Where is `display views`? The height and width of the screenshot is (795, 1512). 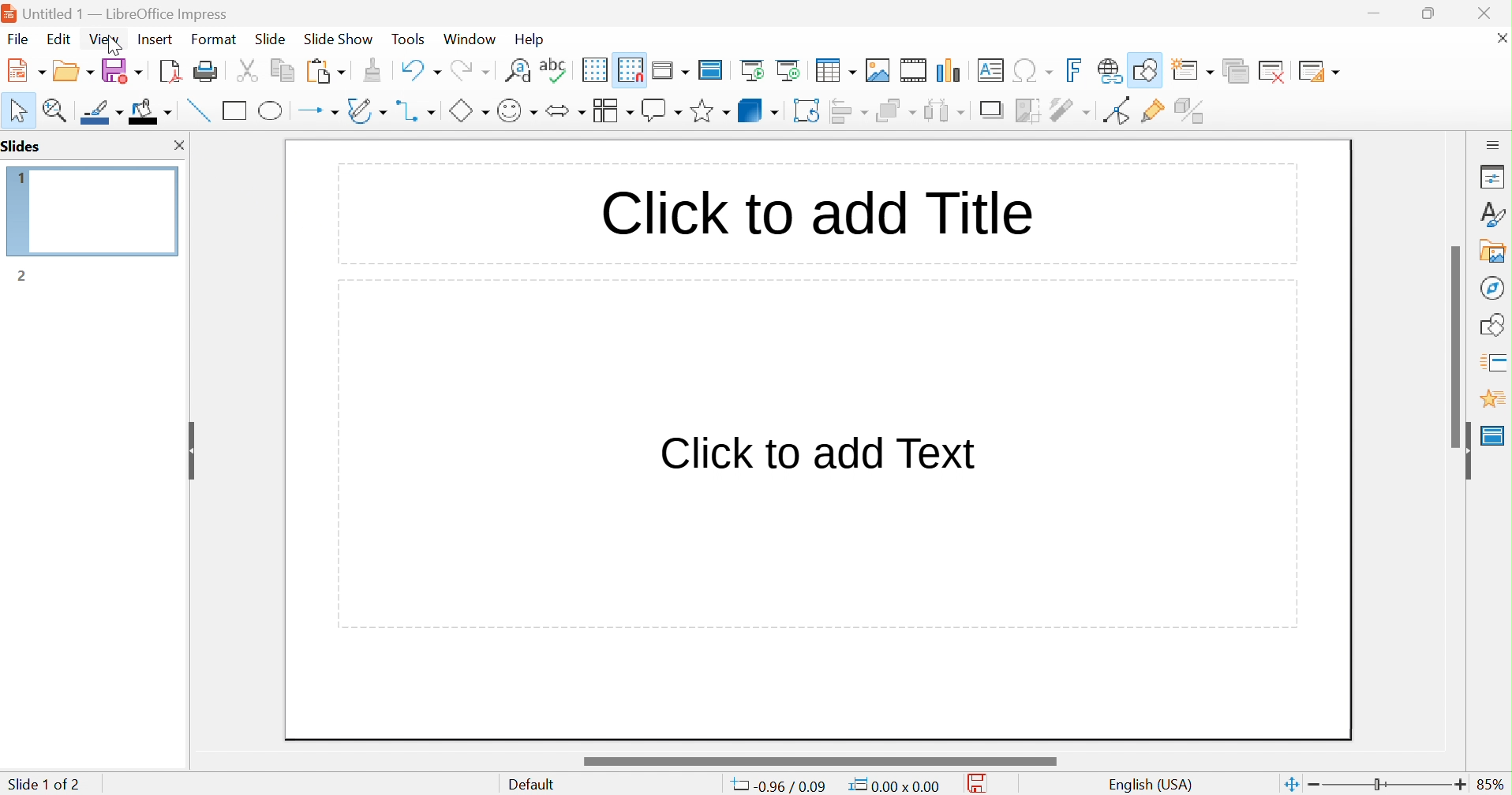 display views is located at coordinates (672, 69).